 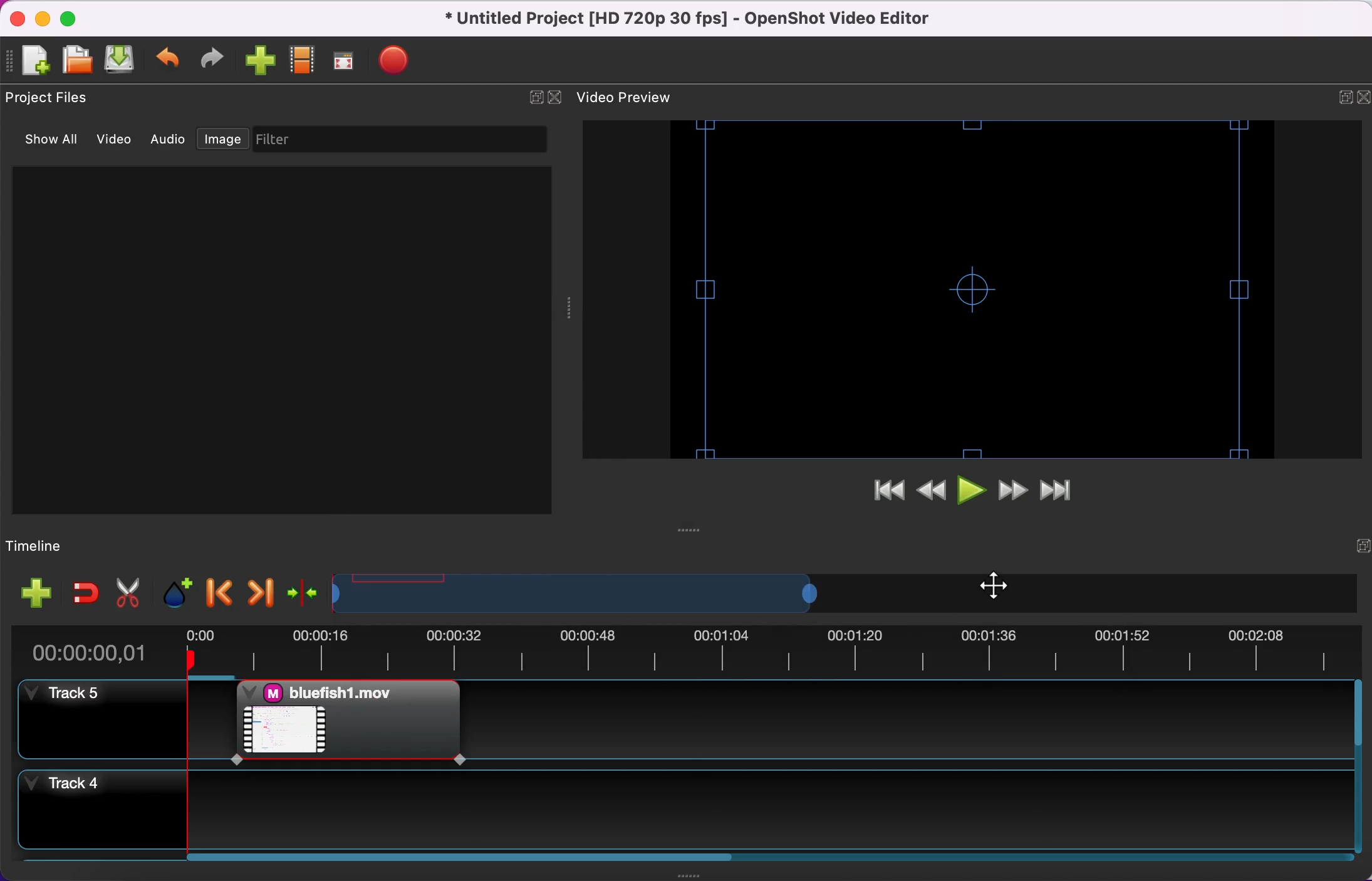 I want to click on export video, so click(x=400, y=61).